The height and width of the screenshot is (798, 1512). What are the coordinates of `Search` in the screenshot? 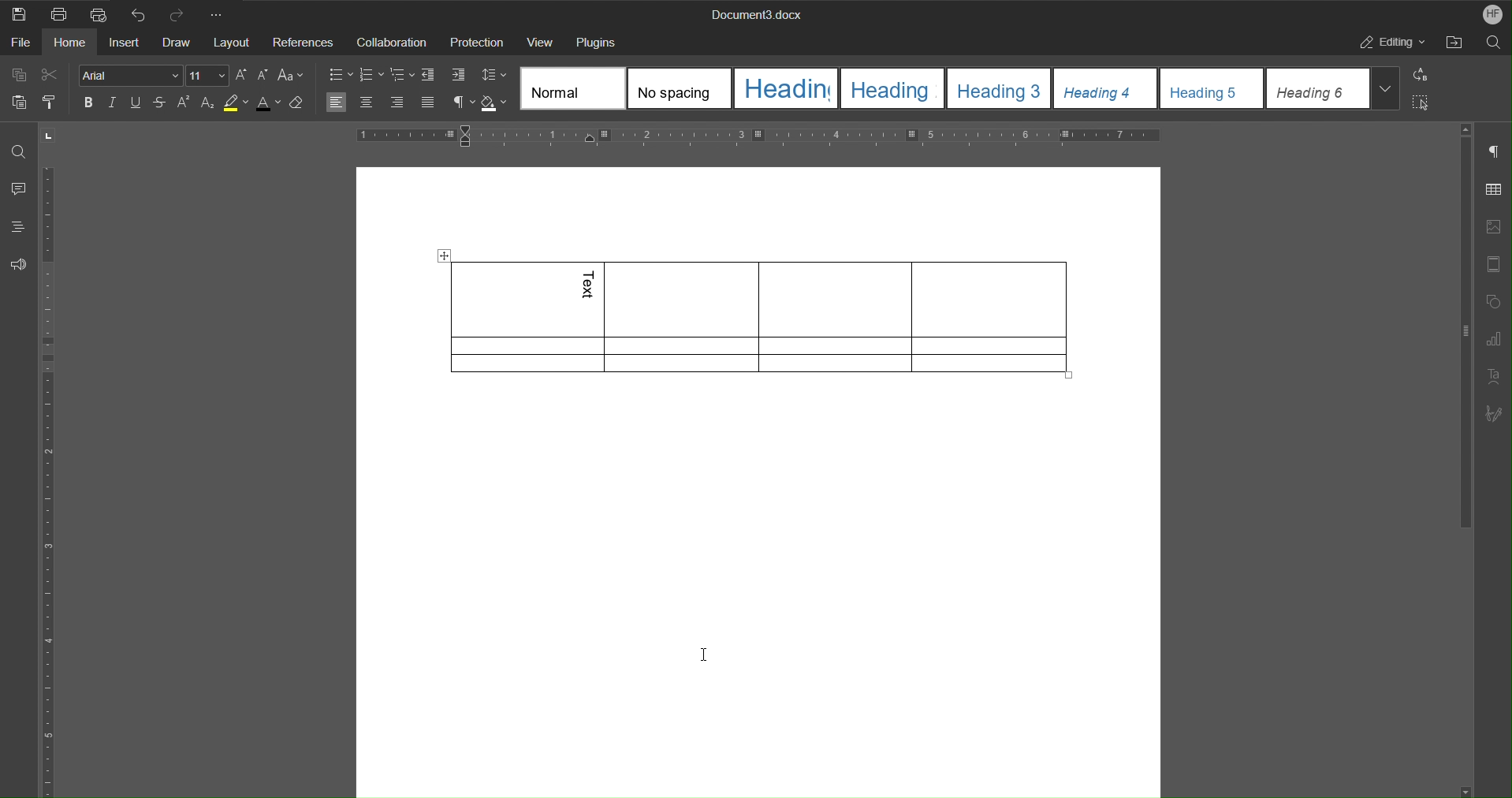 It's located at (1494, 43).